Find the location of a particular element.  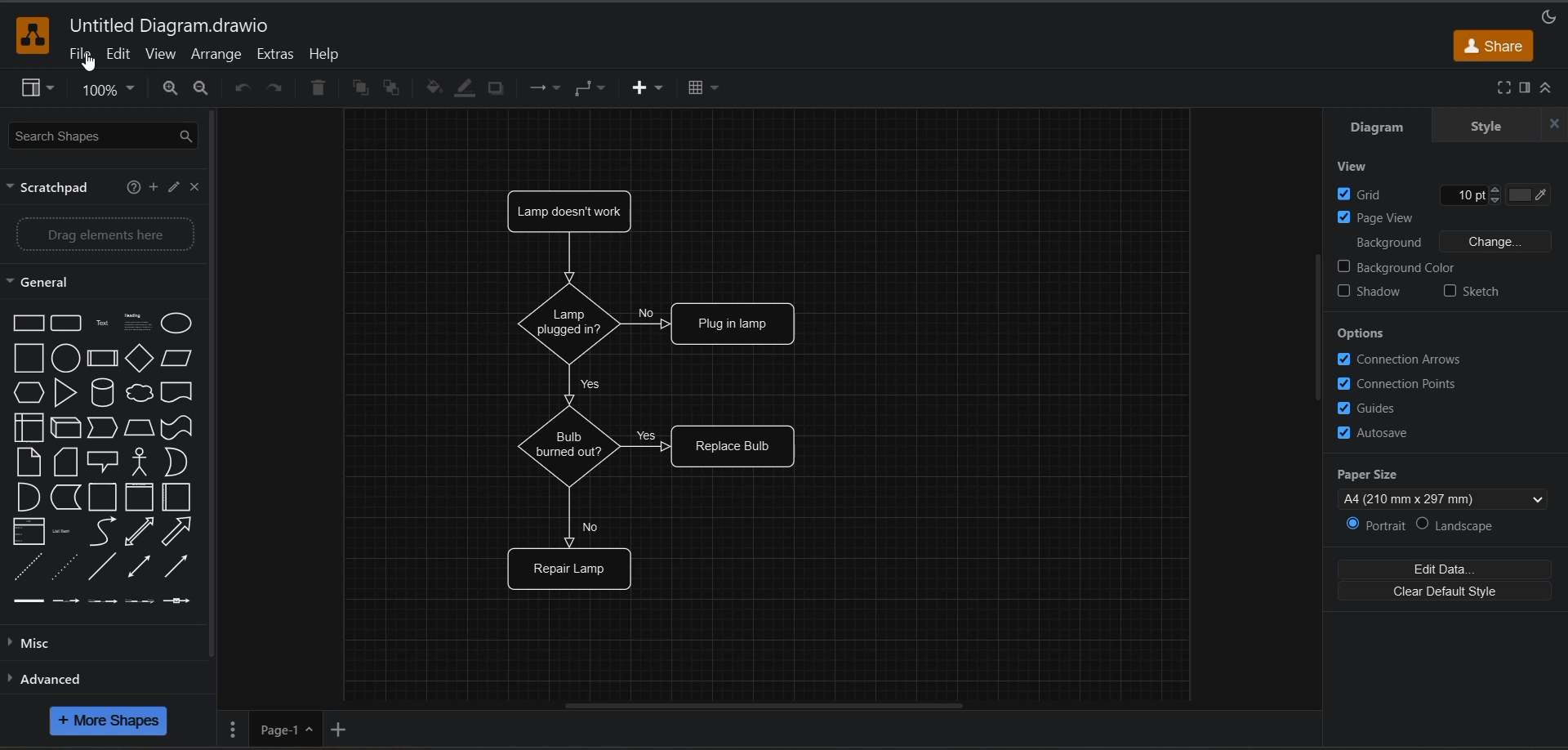

help is located at coordinates (131, 187).